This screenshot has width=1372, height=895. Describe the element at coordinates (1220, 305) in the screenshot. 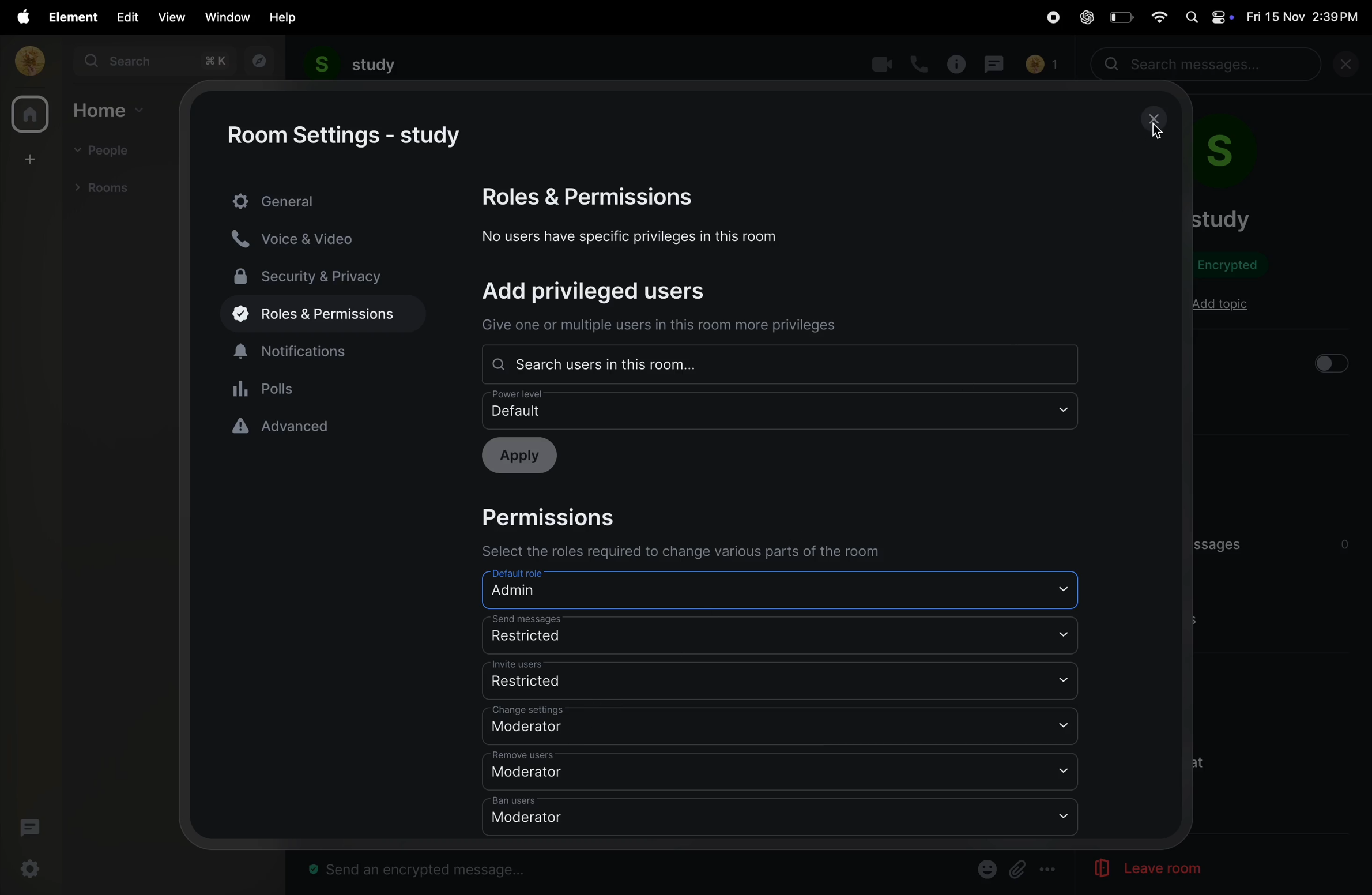

I see `add topic` at that location.